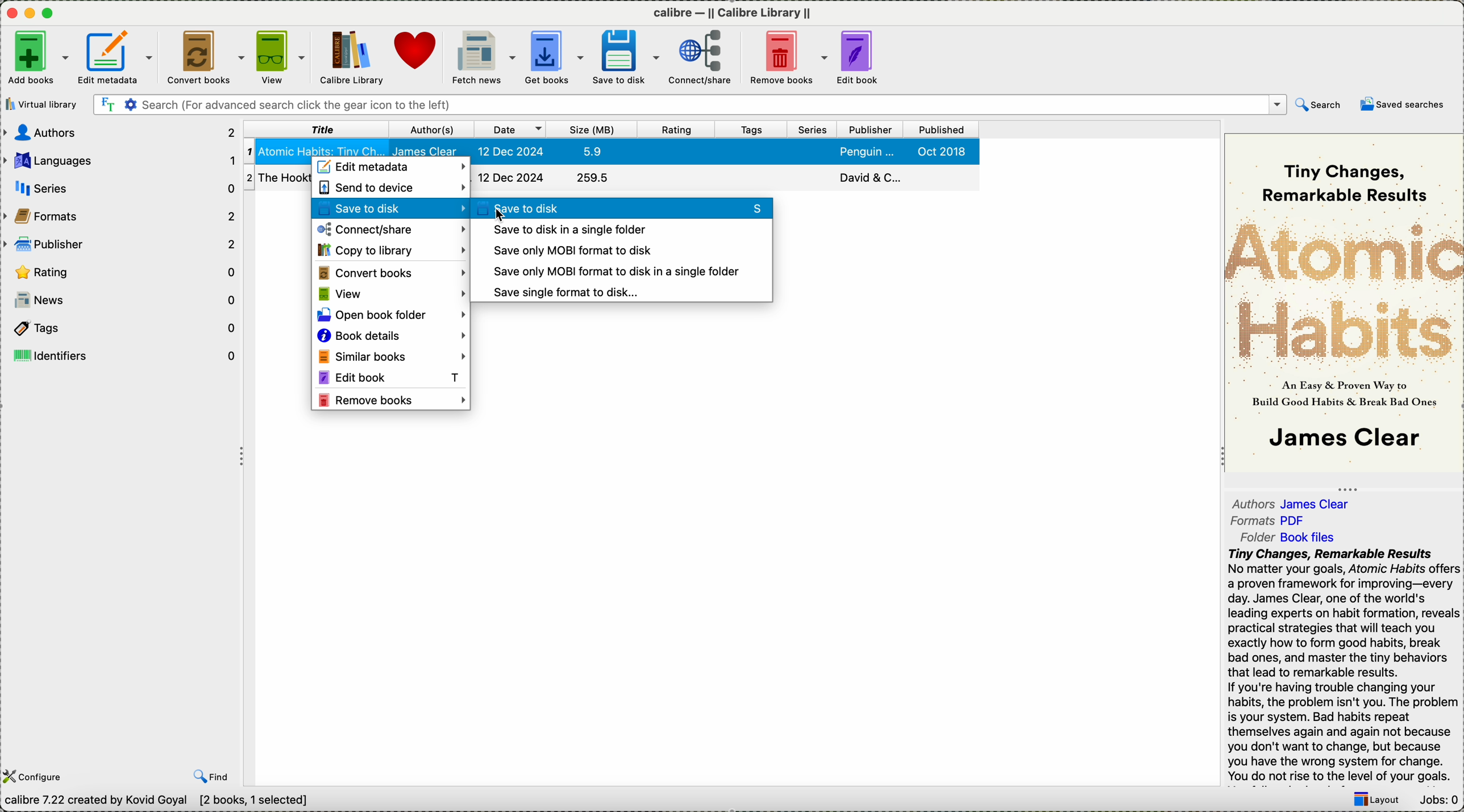 Image resolution: width=1464 pixels, height=812 pixels. Describe the element at coordinates (701, 58) in the screenshot. I see `connect/share` at that location.